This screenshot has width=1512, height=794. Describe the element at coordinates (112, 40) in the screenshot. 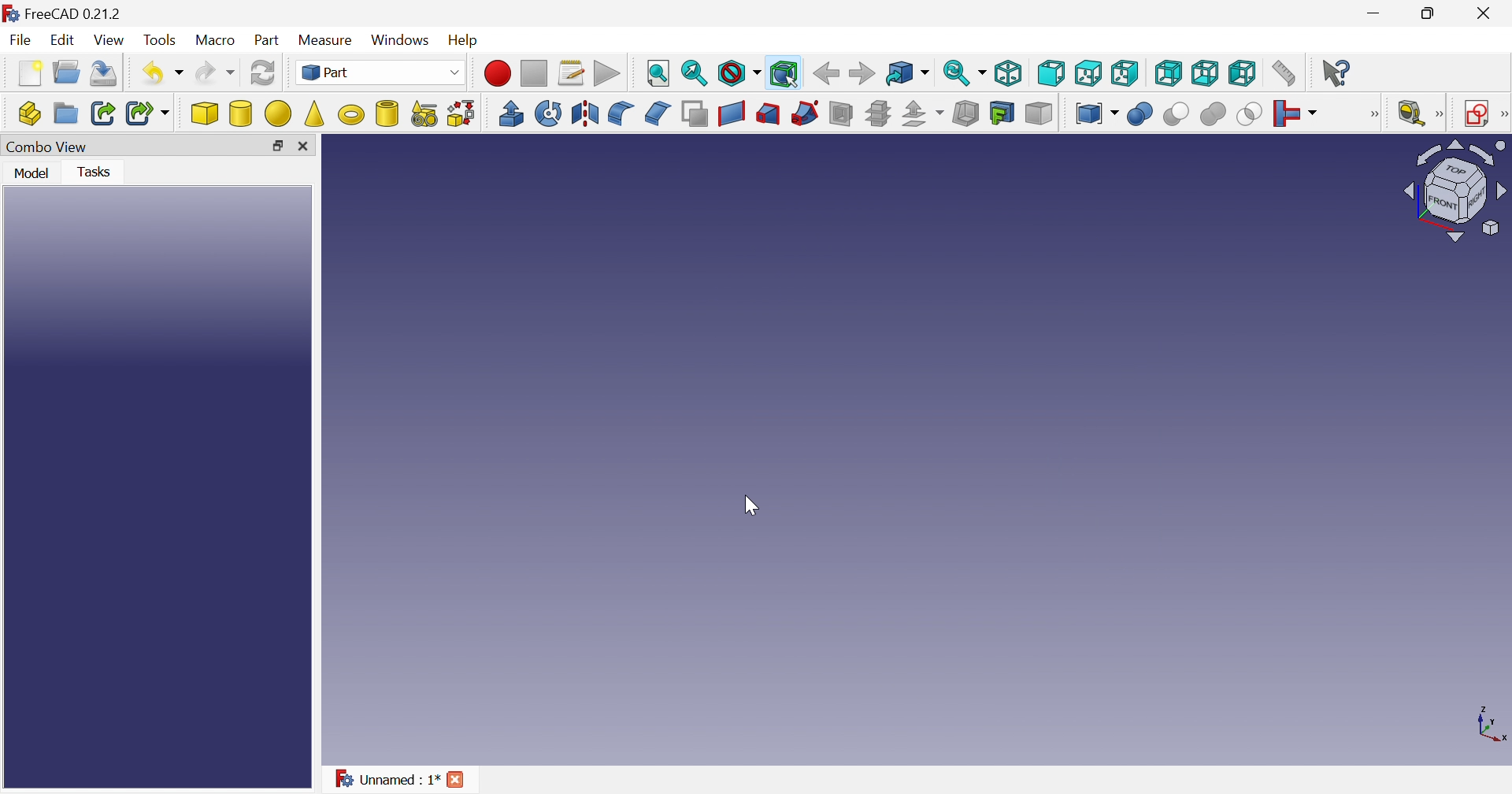

I see `View` at that location.